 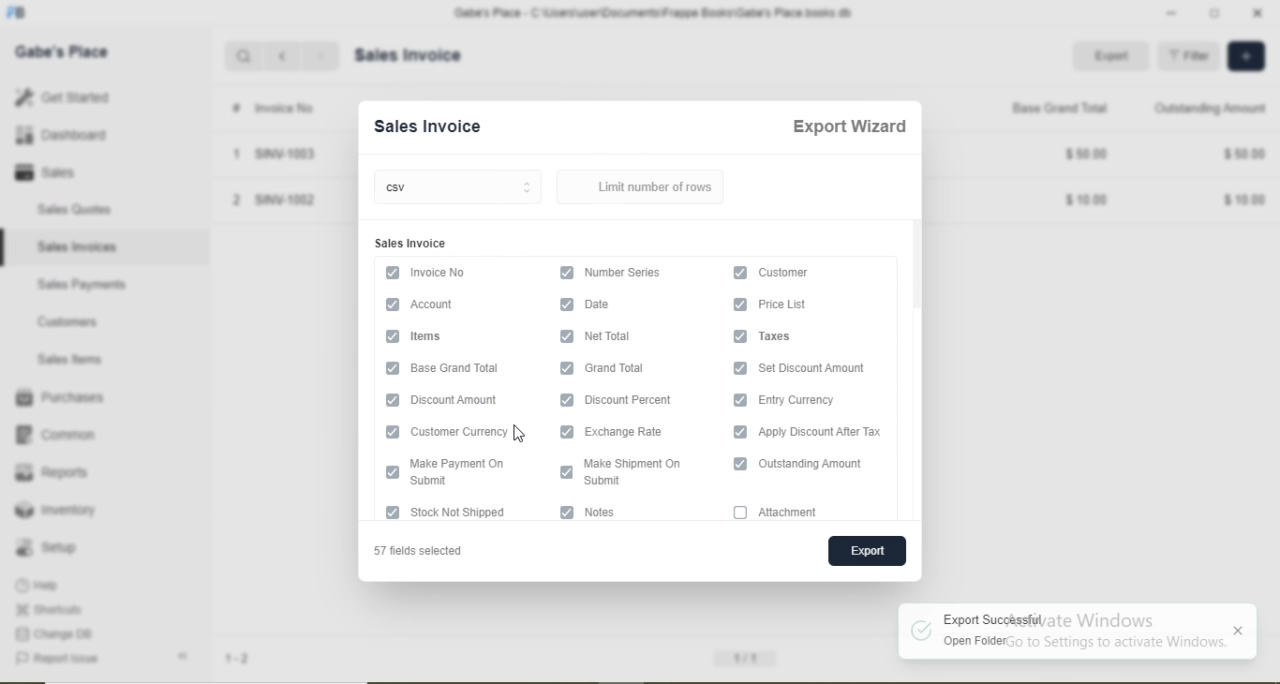 I want to click on Outstanding Amount, so click(x=823, y=465).